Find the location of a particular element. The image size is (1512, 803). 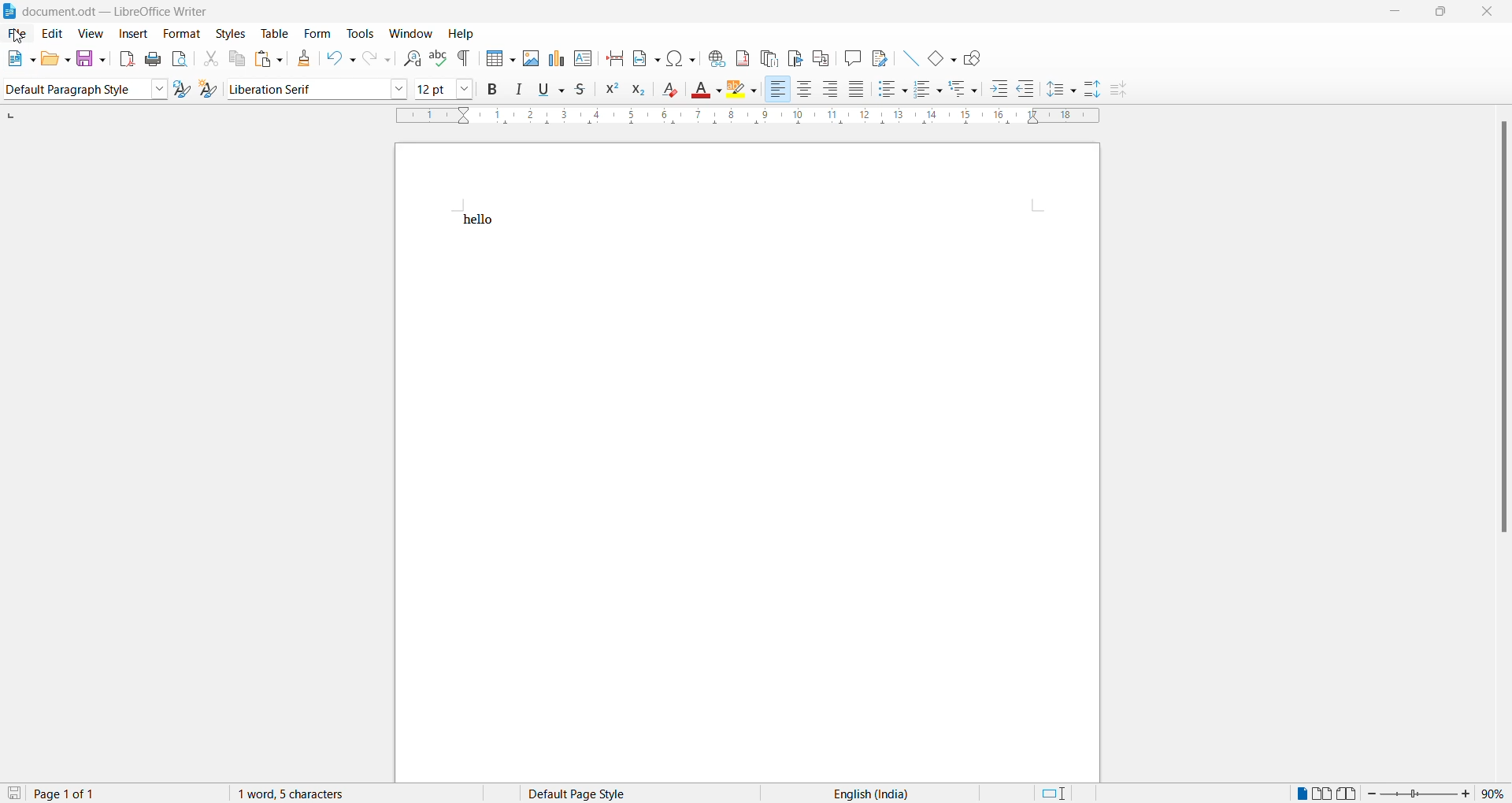

Toggle order list is located at coordinates (927, 91).